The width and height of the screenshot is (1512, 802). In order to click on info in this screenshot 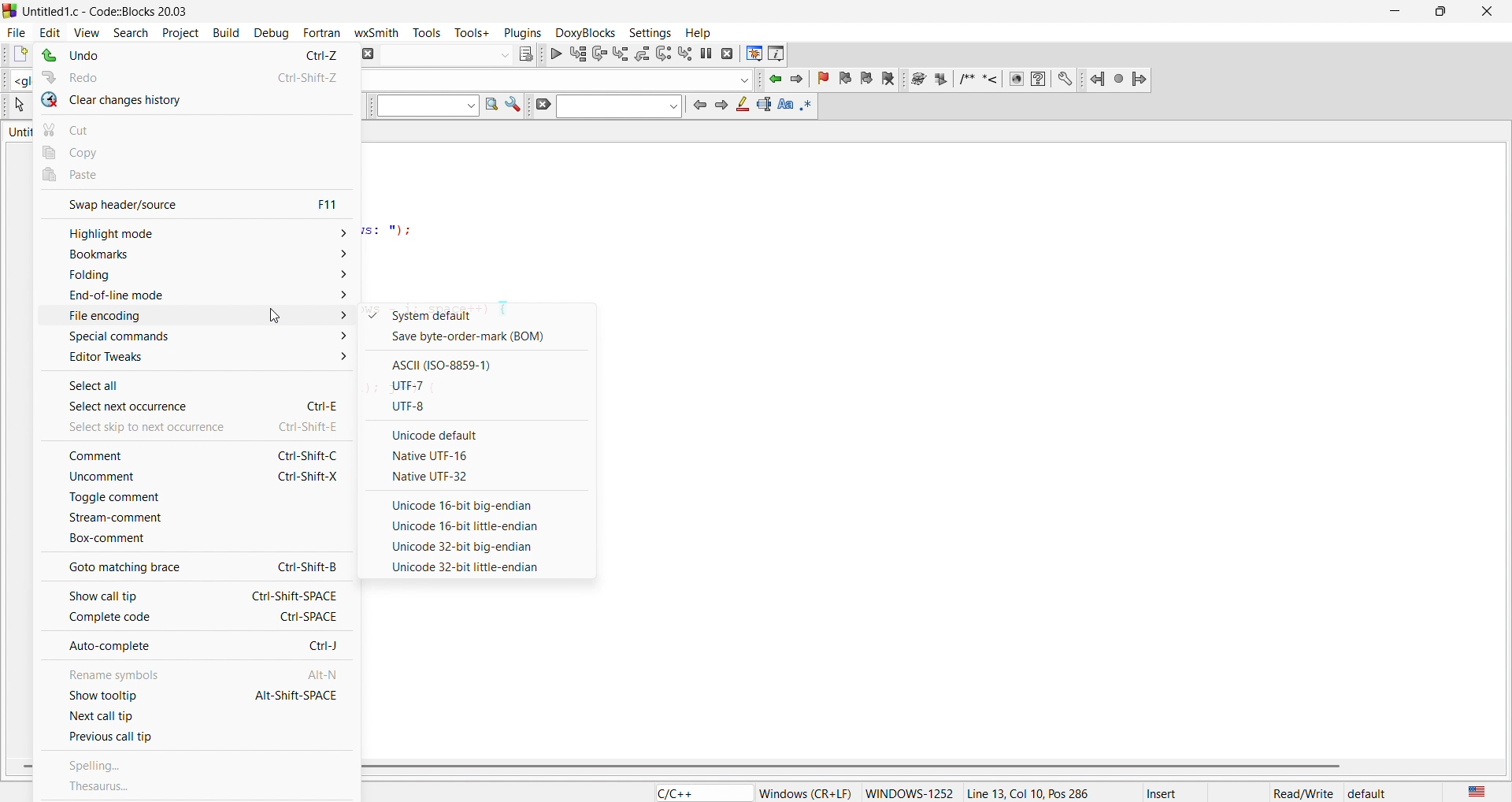, I will do `click(777, 54)`.